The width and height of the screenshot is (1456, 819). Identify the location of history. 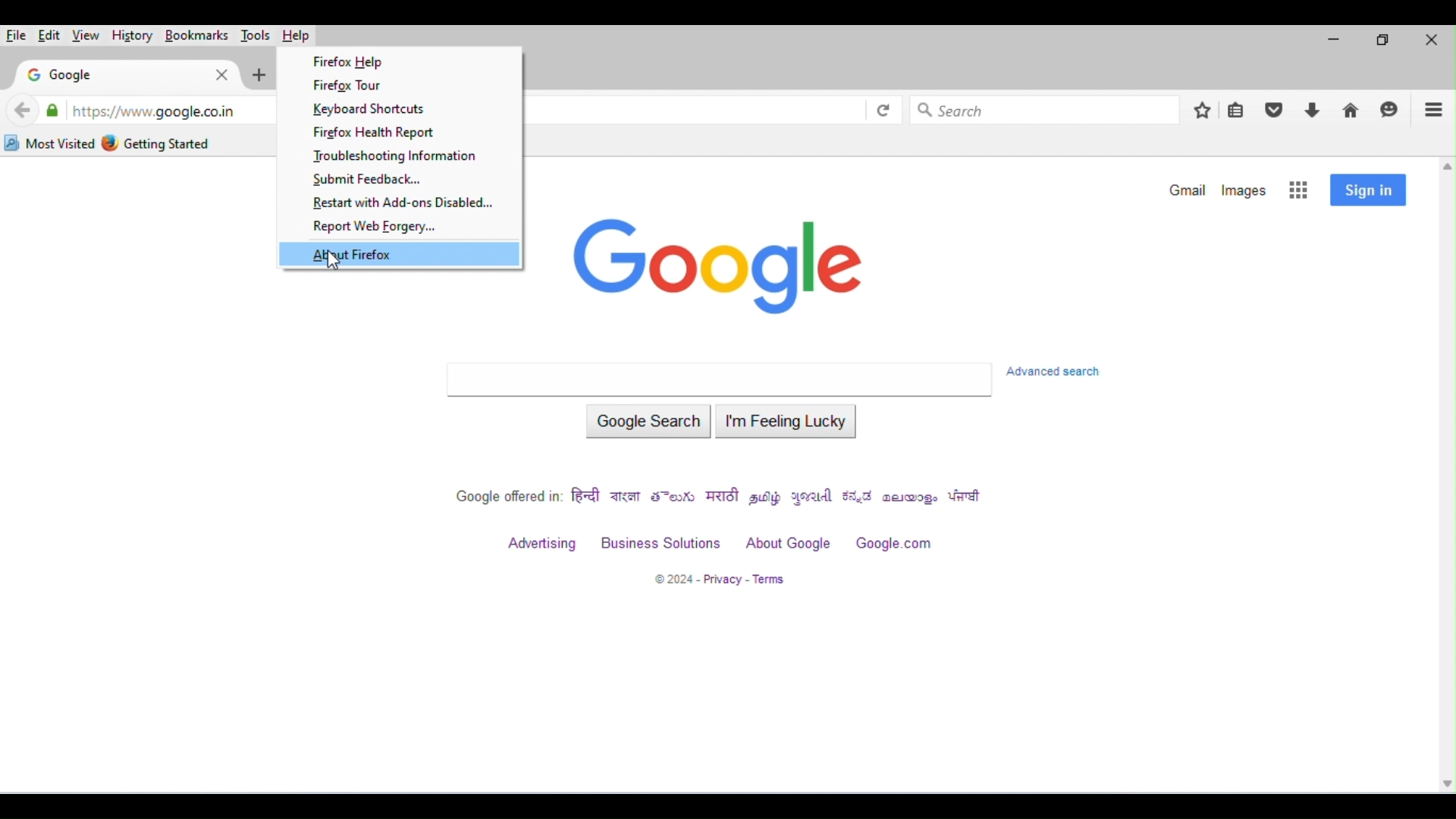
(130, 35).